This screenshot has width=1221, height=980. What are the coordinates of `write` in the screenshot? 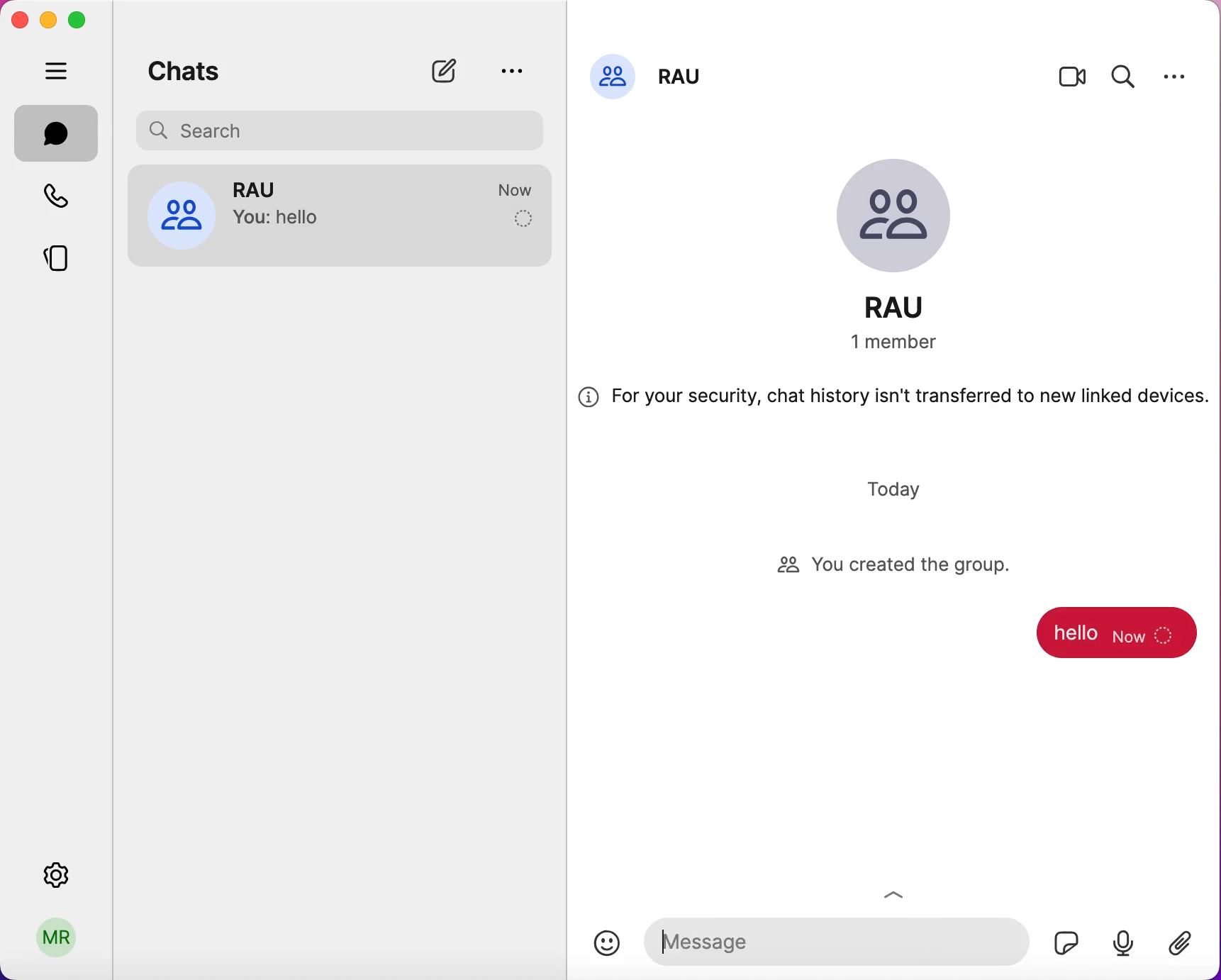 It's located at (451, 71).